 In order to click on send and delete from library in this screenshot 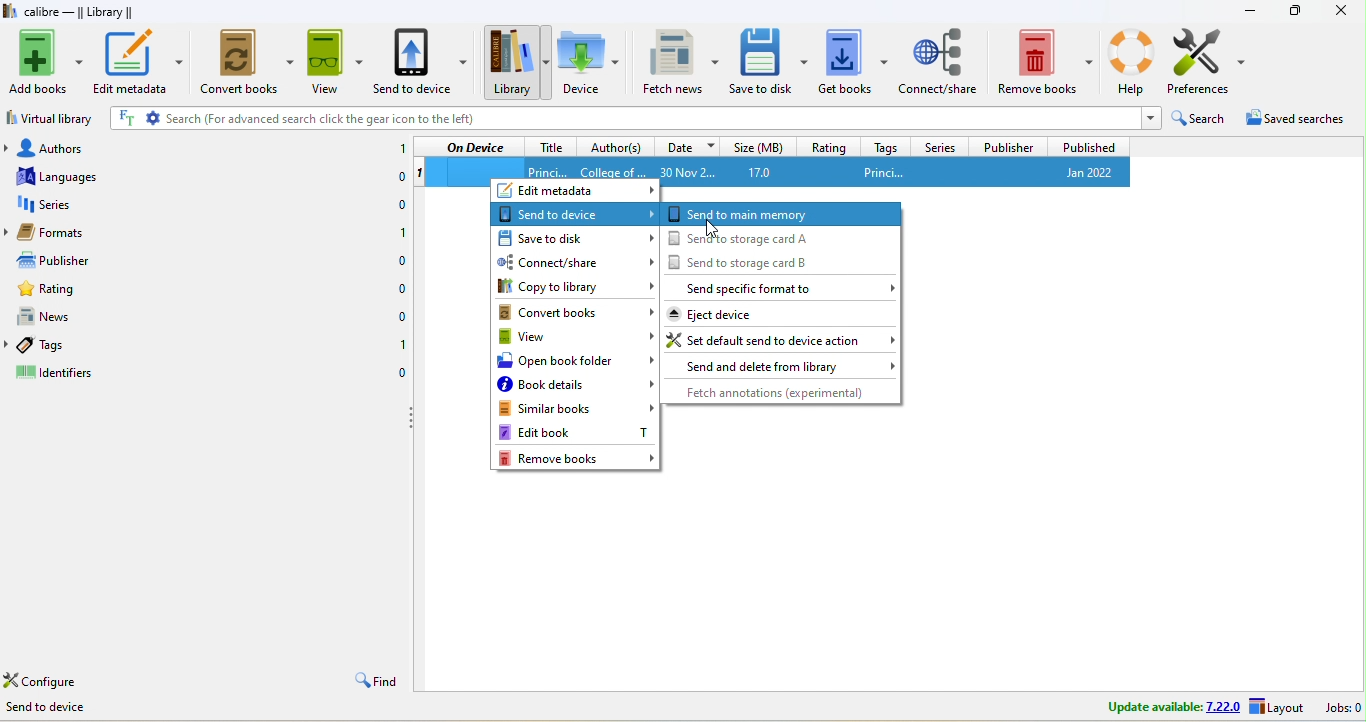, I will do `click(780, 367)`.